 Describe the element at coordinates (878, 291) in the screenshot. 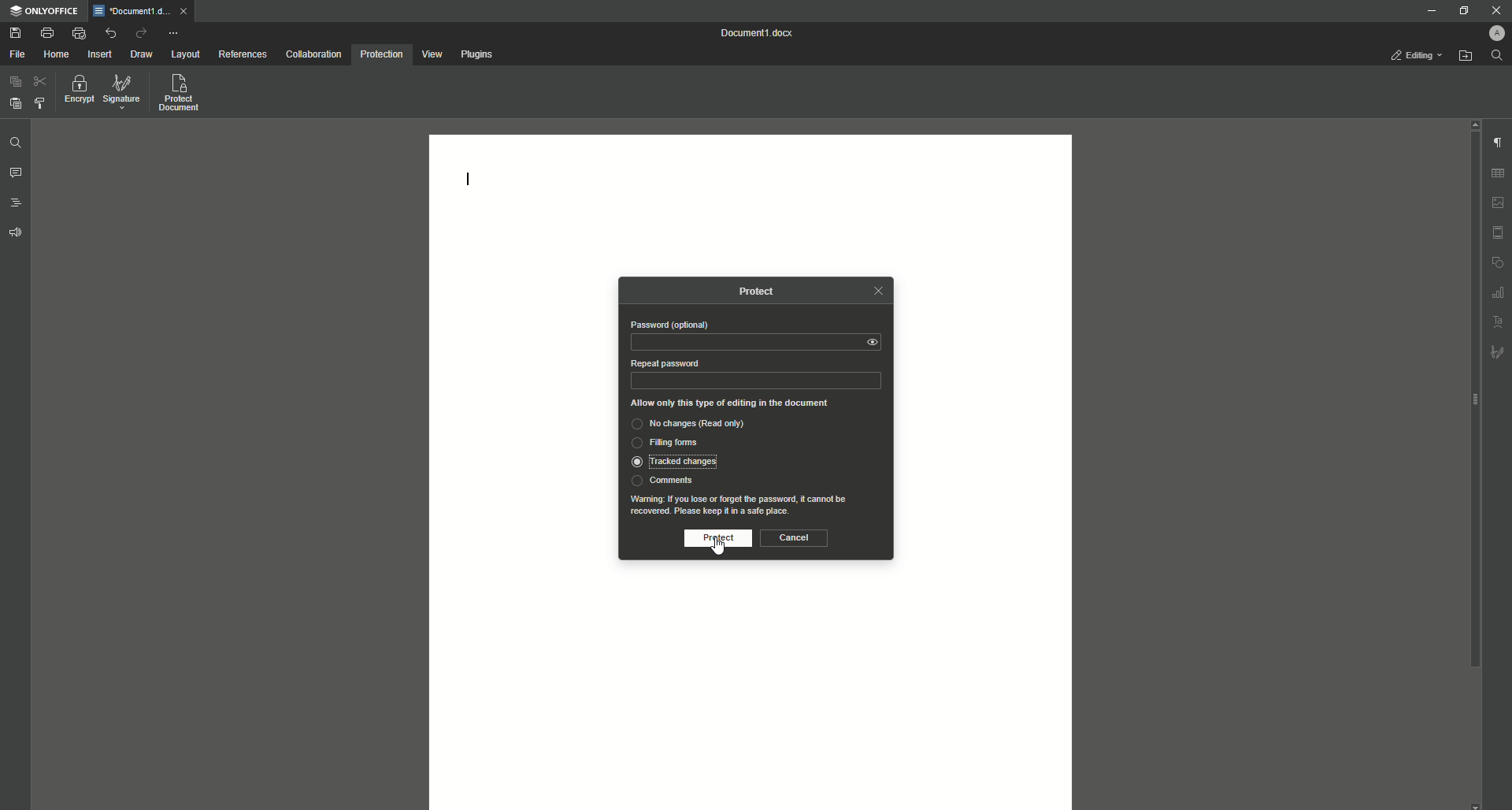

I see `Close` at that location.